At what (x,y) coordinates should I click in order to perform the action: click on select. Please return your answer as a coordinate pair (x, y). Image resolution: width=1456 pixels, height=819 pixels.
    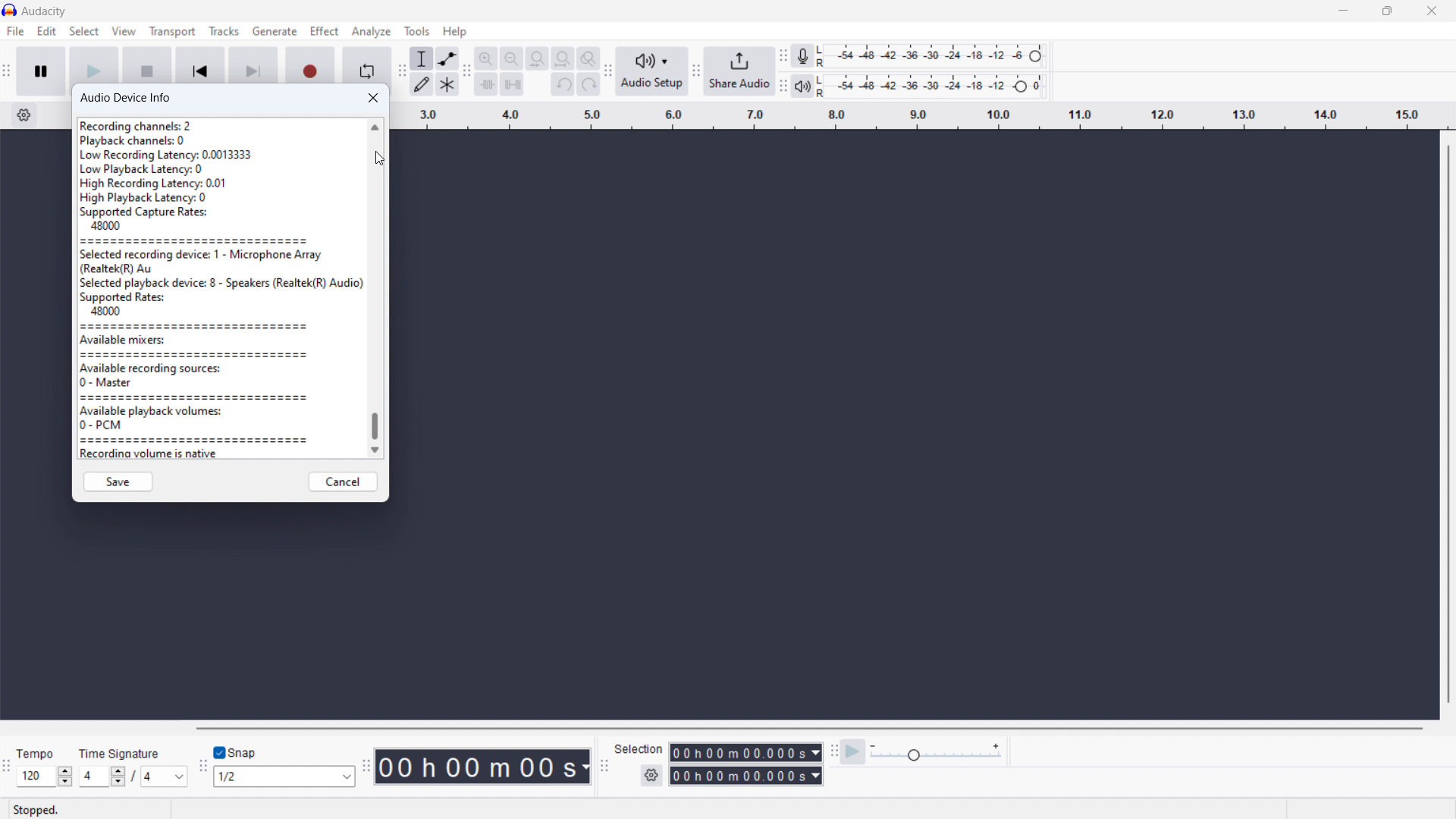
    Looking at the image, I should click on (83, 31).